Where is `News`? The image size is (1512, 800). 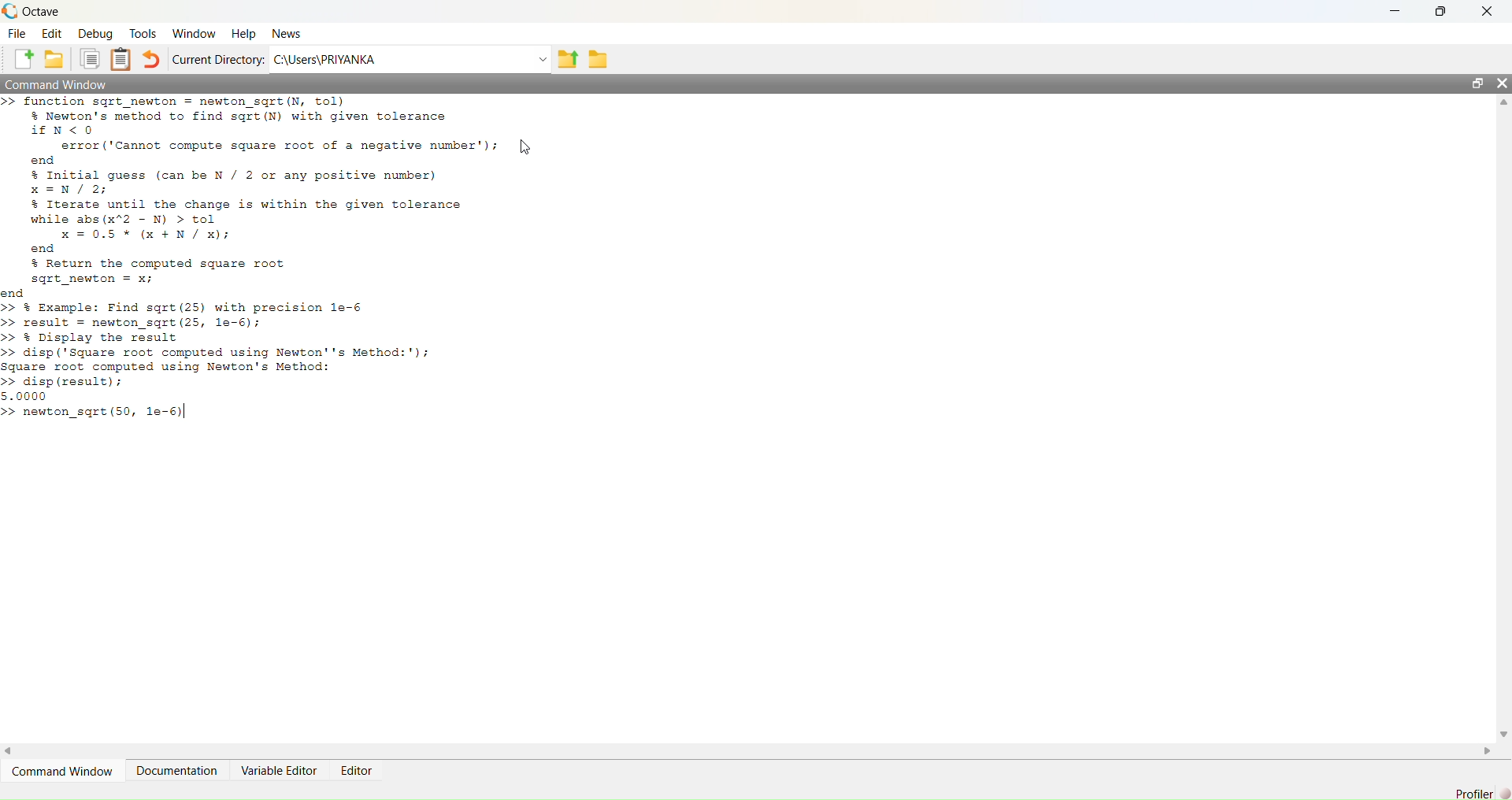
News is located at coordinates (287, 35).